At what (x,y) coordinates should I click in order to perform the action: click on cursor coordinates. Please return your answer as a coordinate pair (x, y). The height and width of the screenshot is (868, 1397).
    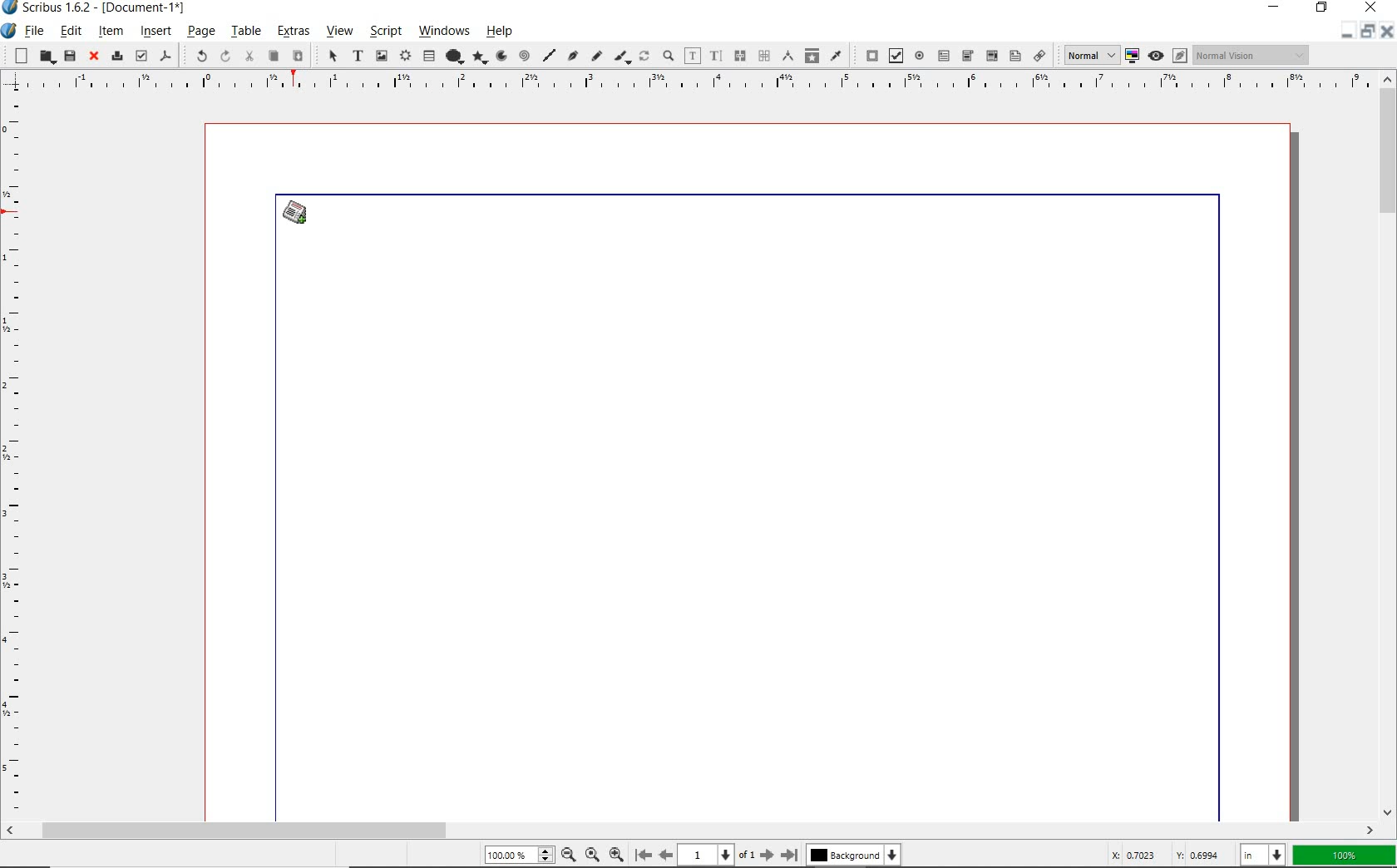
    Looking at the image, I should click on (1168, 856).